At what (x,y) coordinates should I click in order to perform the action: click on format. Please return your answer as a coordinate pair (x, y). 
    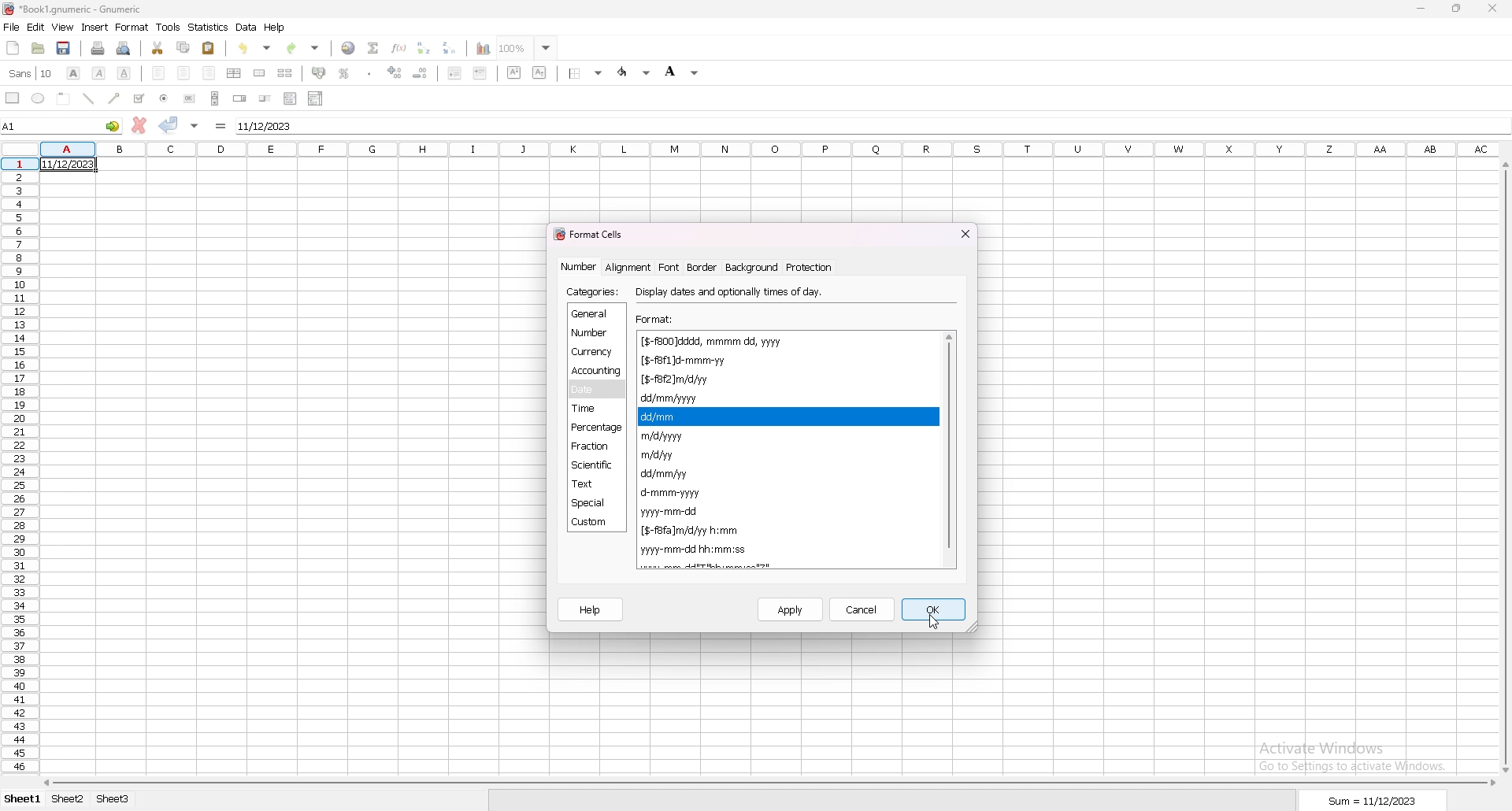
    Looking at the image, I should click on (132, 27).